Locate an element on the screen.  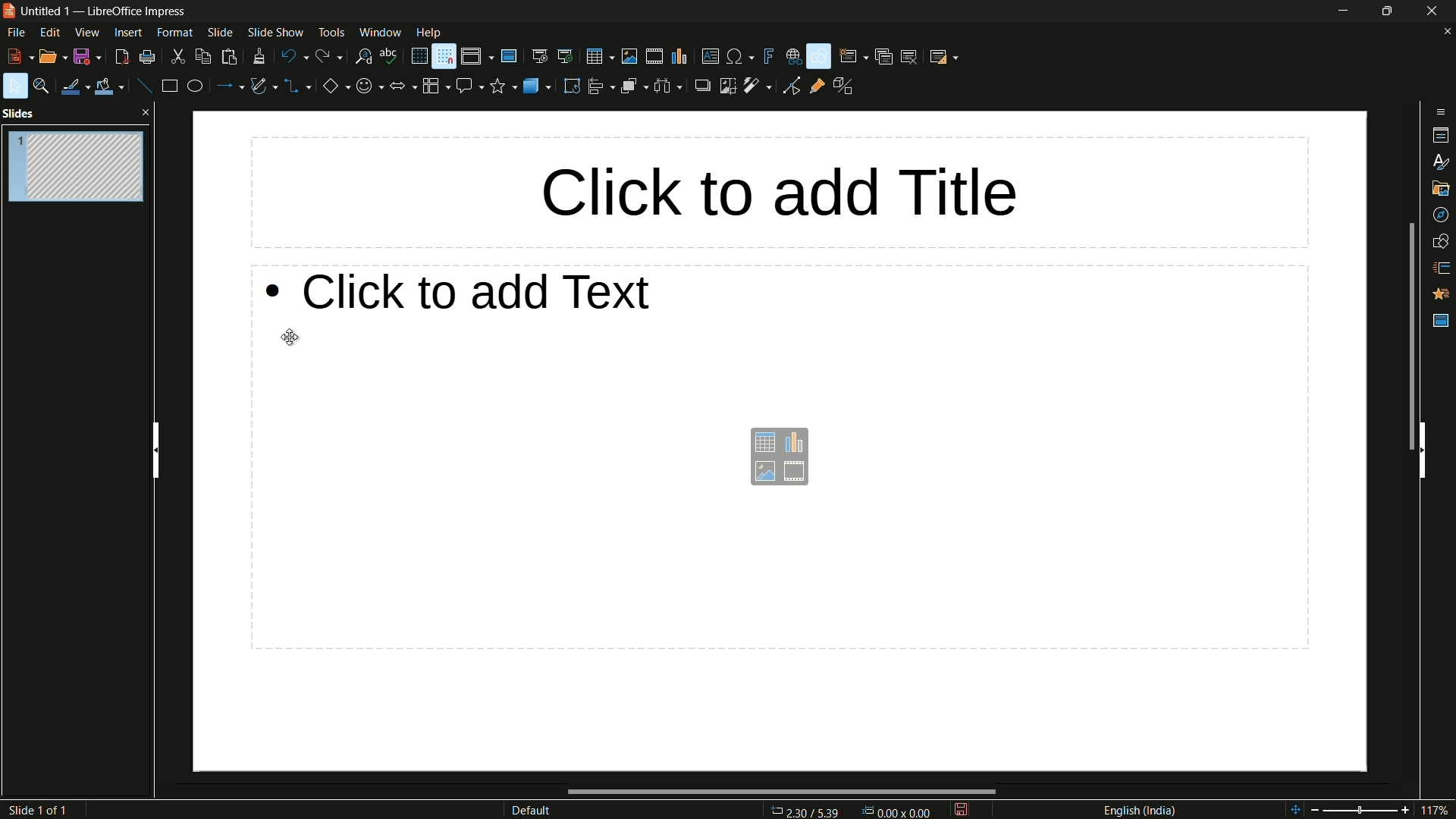
slides is located at coordinates (22, 115).